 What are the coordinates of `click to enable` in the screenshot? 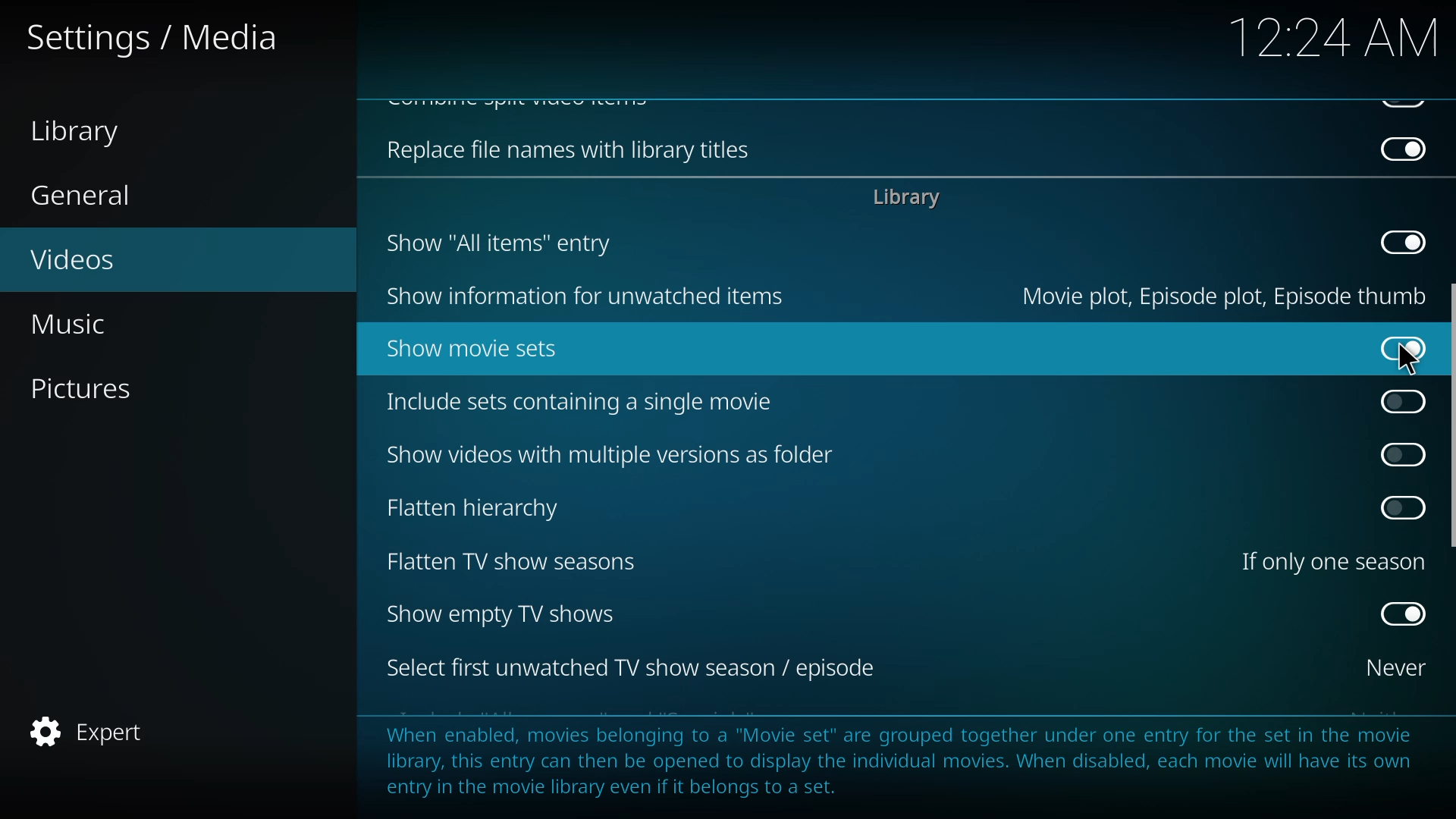 It's located at (1401, 400).